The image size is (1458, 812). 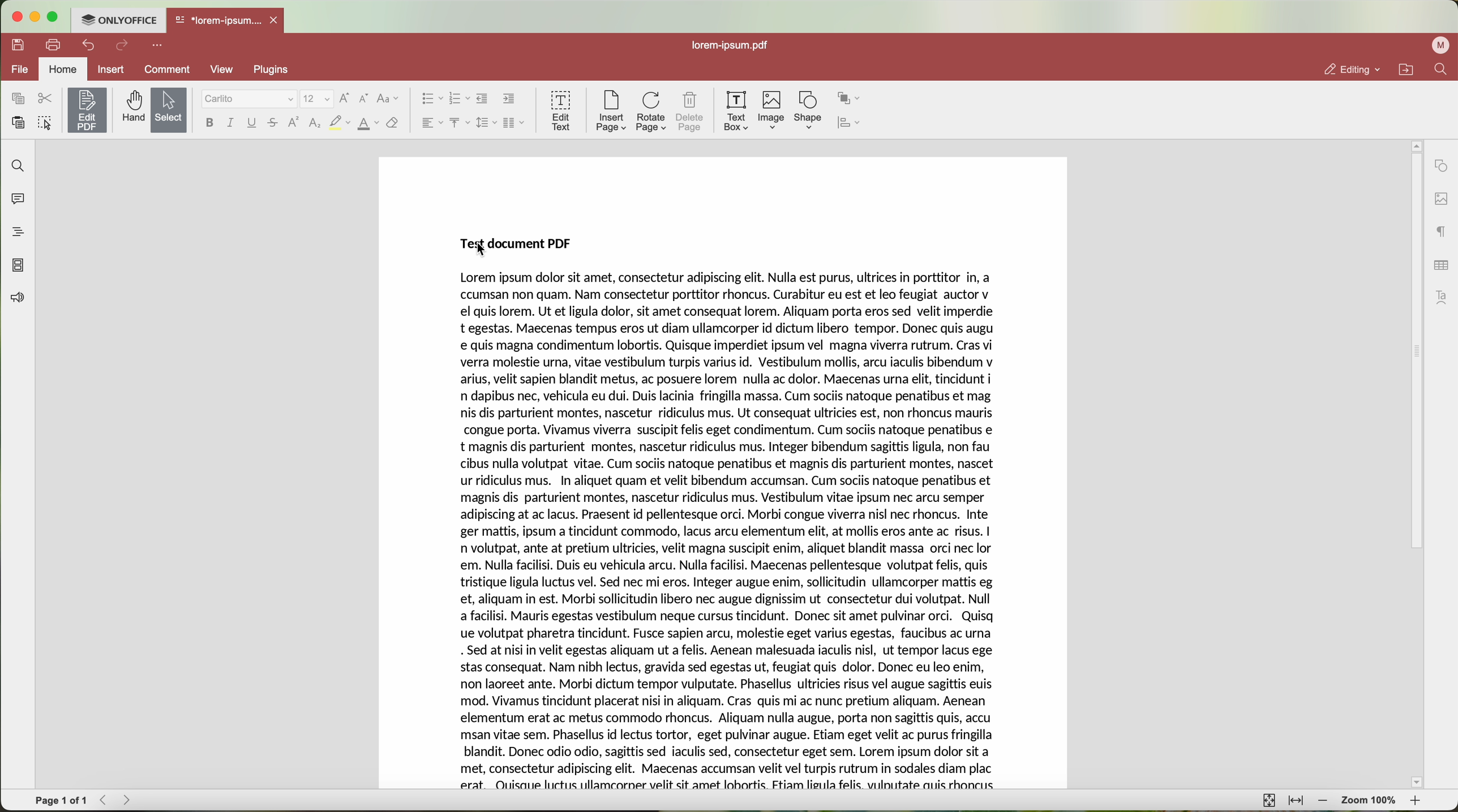 I want to click on find, so click(x=1443, y=70).